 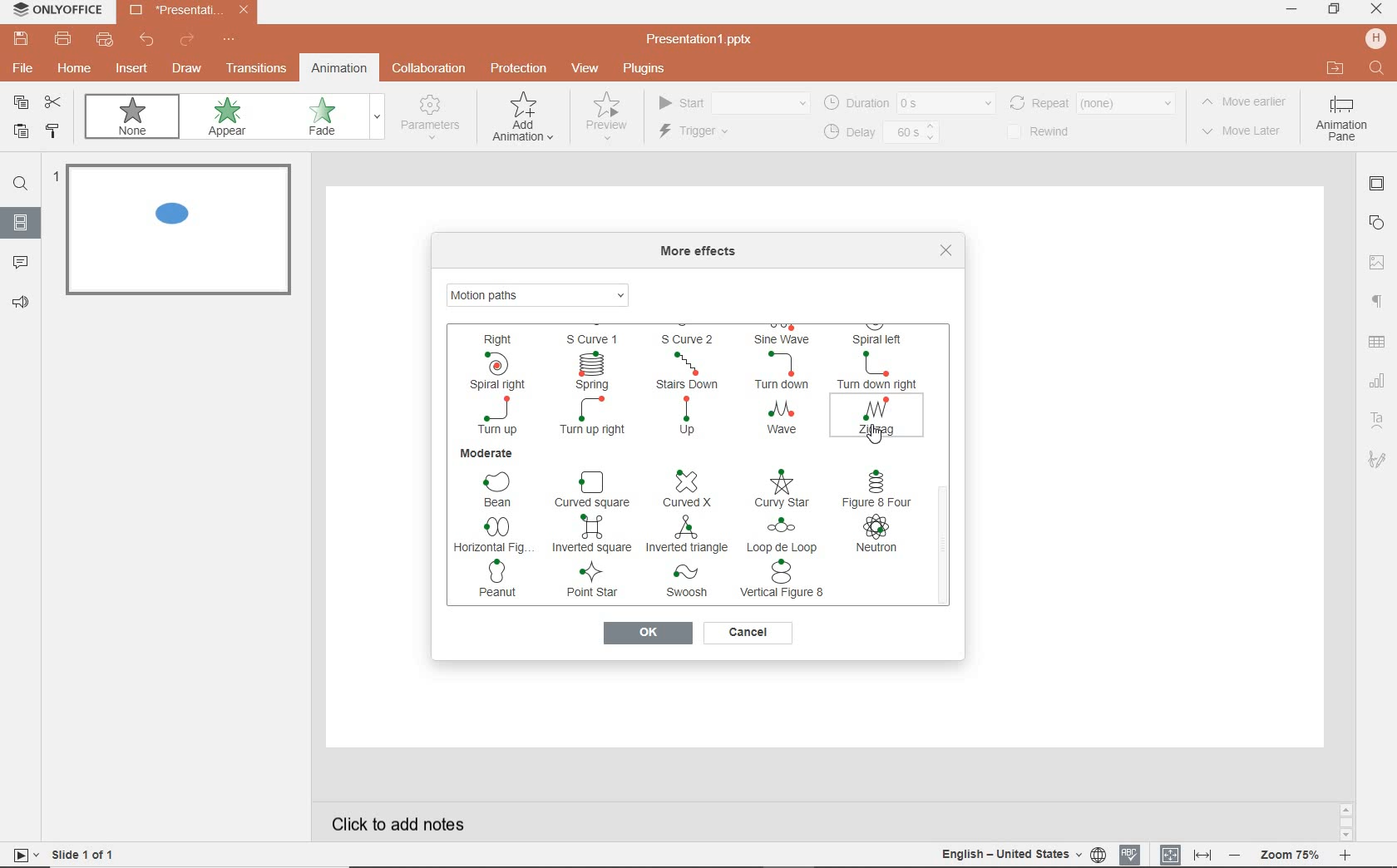 I want to click on POINT STAR, so click(x=595, y=582).